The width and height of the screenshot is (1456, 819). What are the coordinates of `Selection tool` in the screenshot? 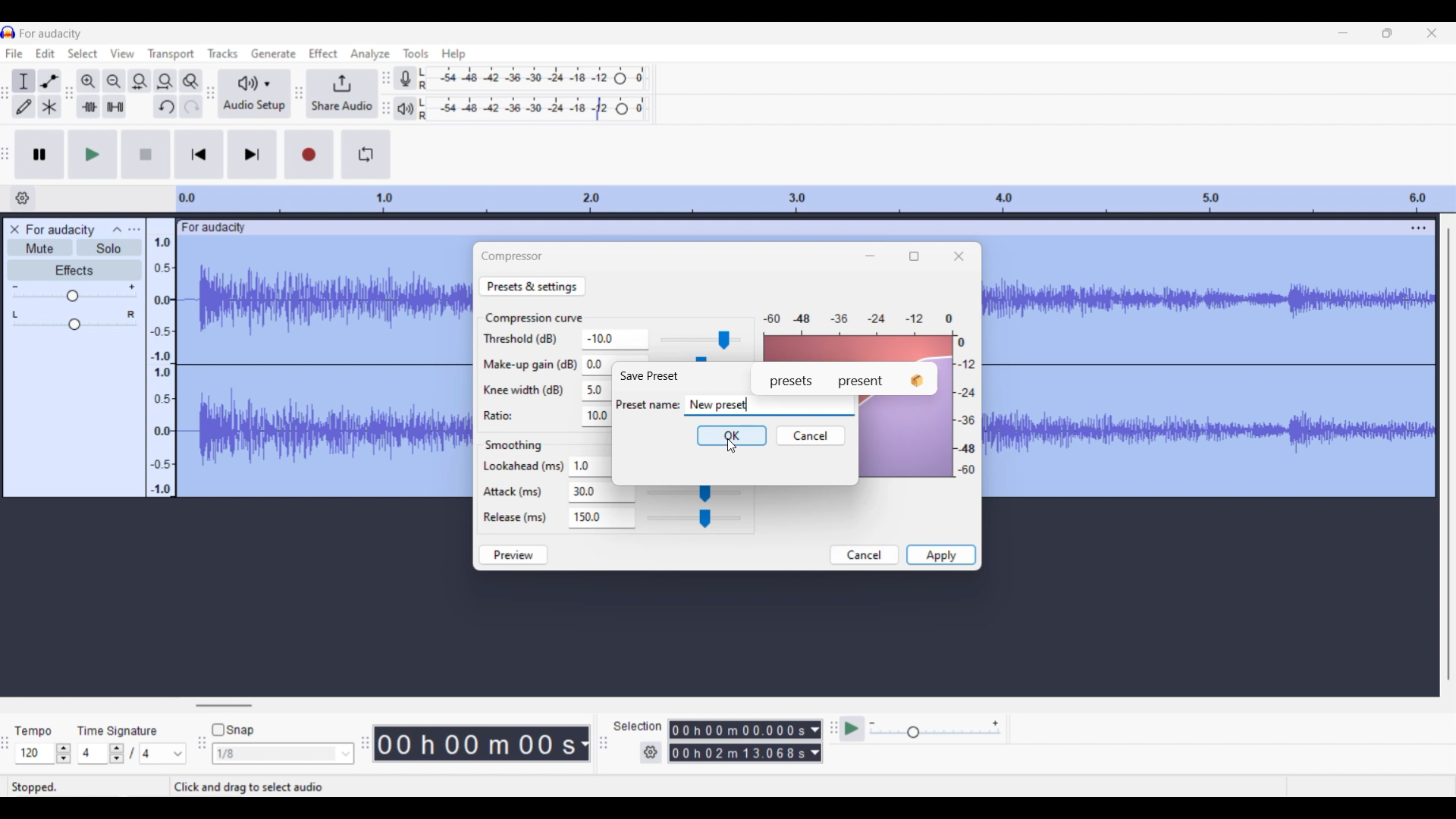 It's located at (24, 81).